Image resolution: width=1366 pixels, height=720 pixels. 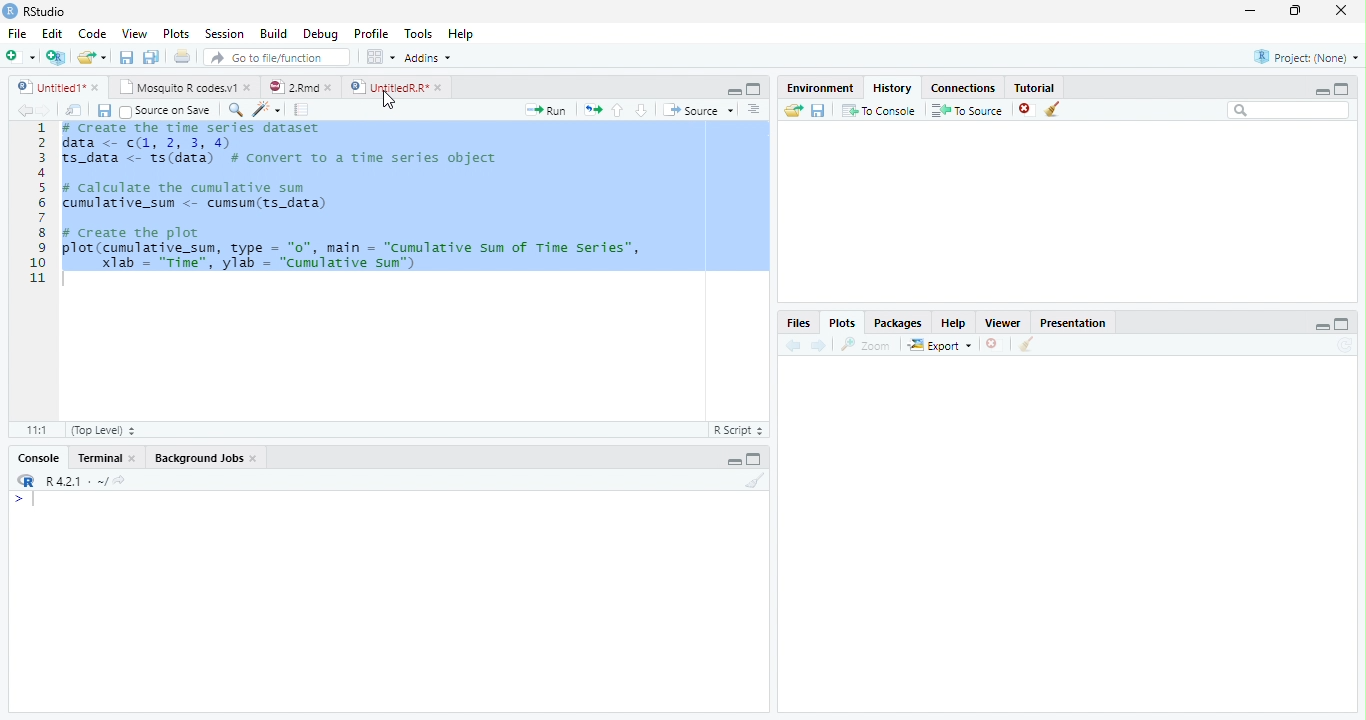 I want to click on Go to the next section , so click(x=642, y=112).